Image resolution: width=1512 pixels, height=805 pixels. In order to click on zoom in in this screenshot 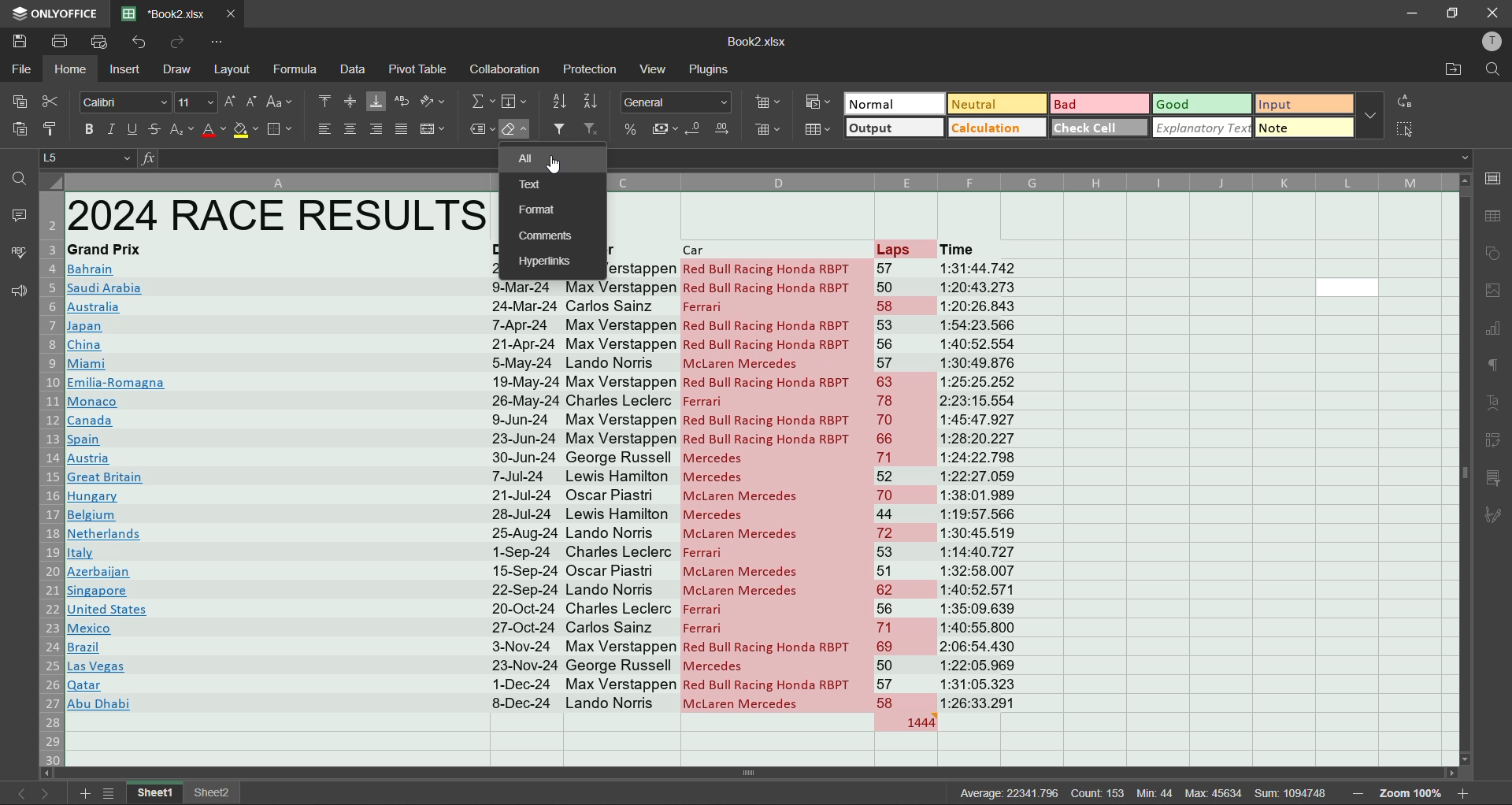, I will do `click(1466, 791)`.